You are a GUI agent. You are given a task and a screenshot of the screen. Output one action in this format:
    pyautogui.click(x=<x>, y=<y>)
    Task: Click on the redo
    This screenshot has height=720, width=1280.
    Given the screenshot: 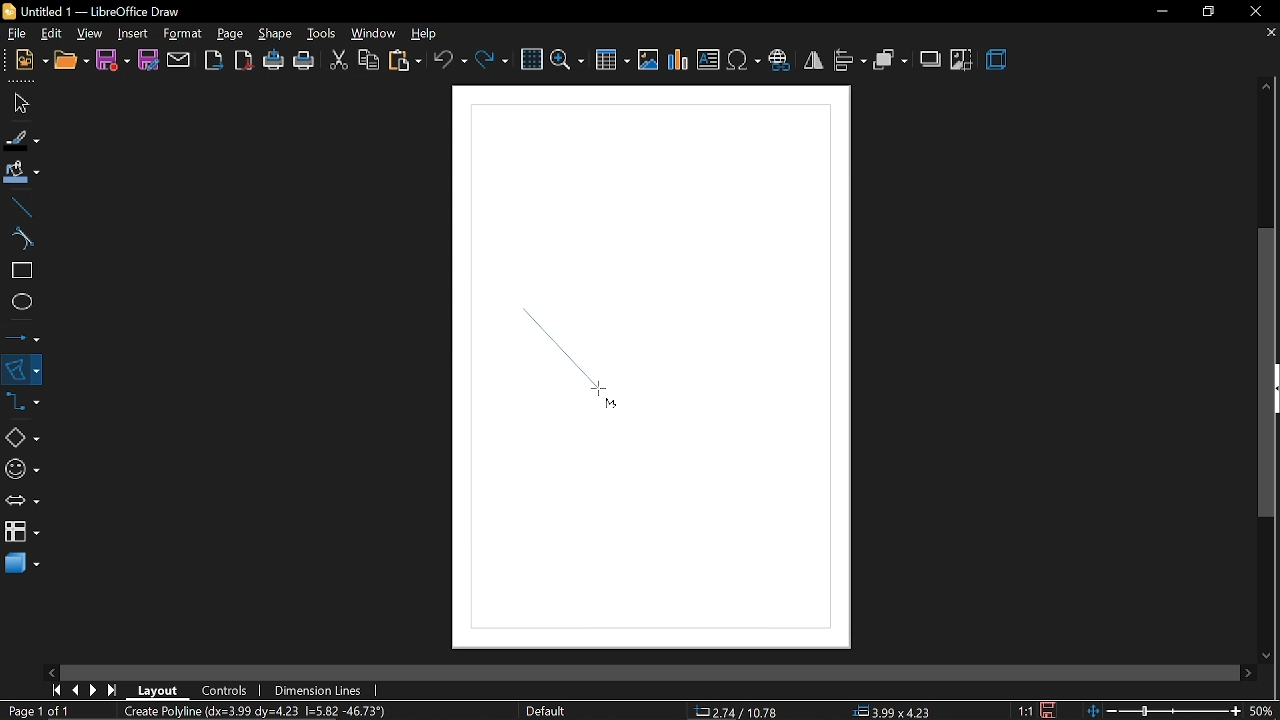 What is the action you would take?
    pyautogui.click(x=491, y=58)
    